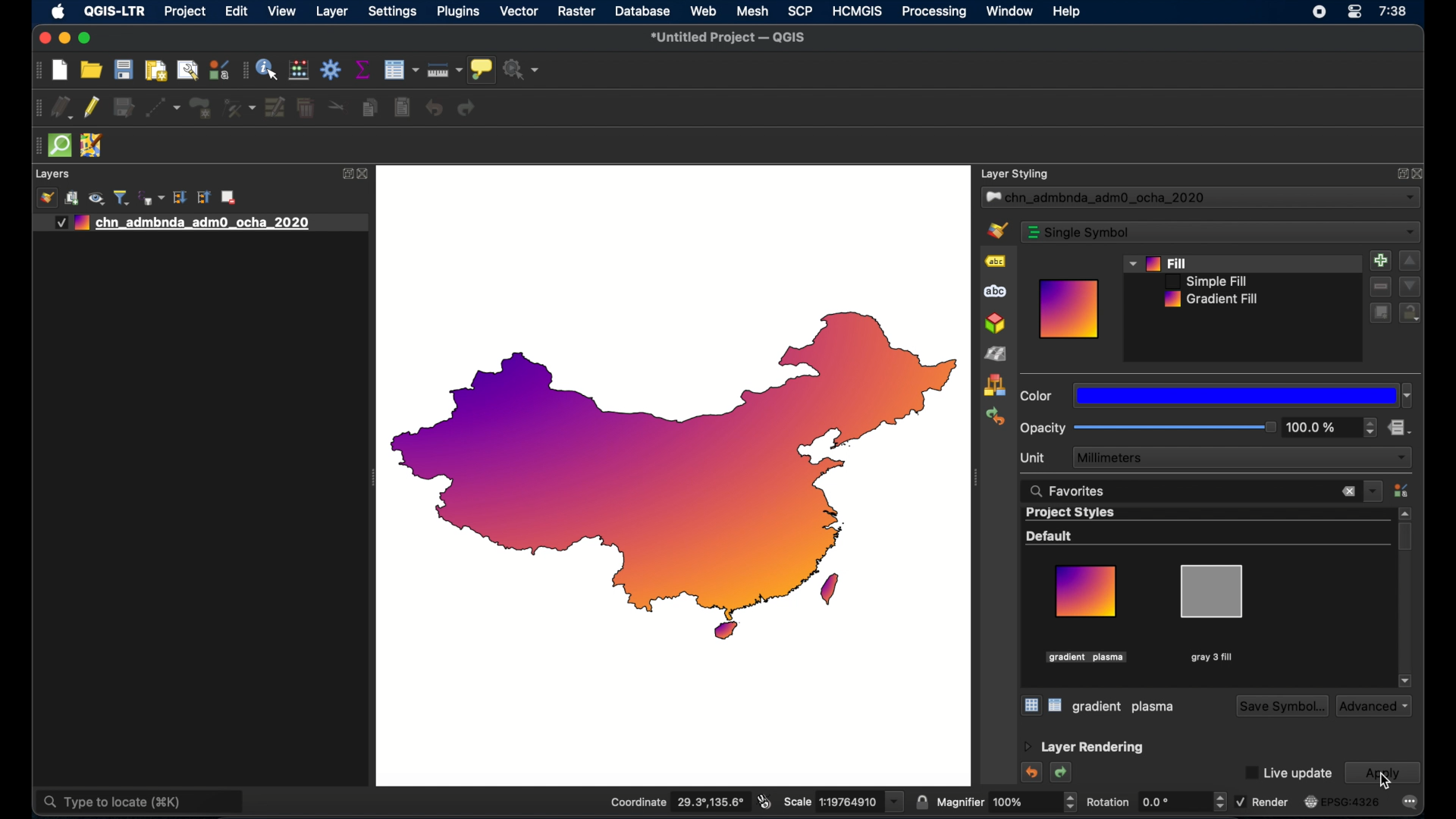 The image size is (1456, 819). Describe the element at coordinates (275, 108) in the screenshot. I see `modify attributes` at that location.